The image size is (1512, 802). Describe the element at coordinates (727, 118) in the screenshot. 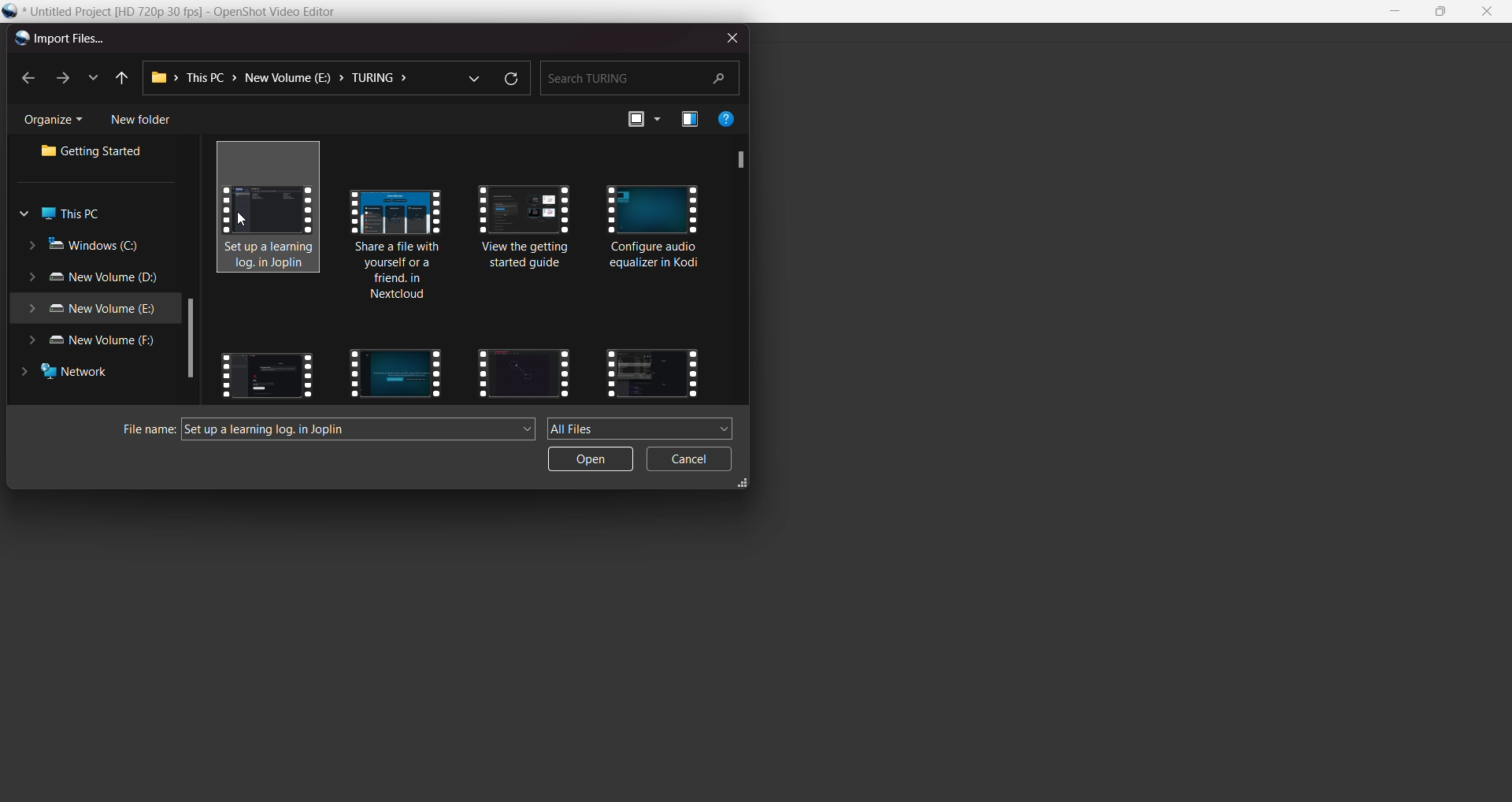

I see `help` at that location.